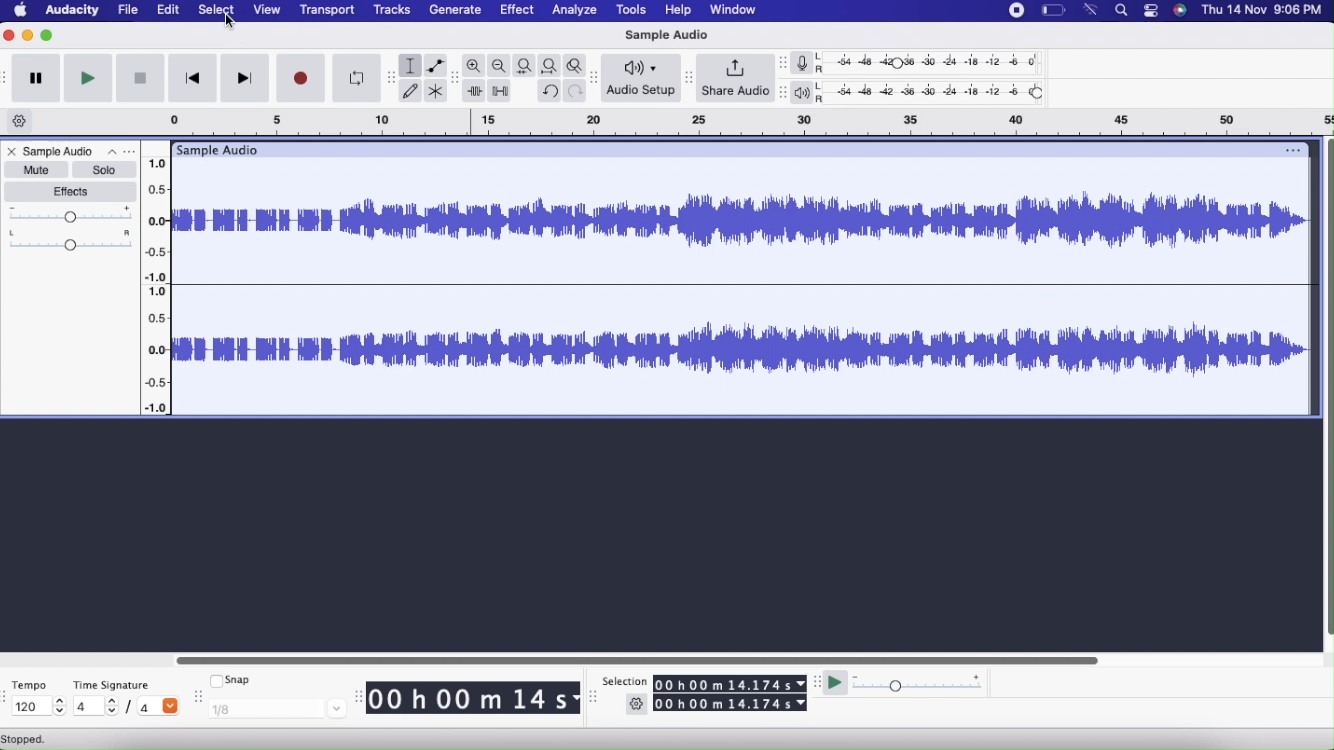  Describe the element at coordinates (574, 66) in the screenshot. I see `Zoom toggle` at that location.